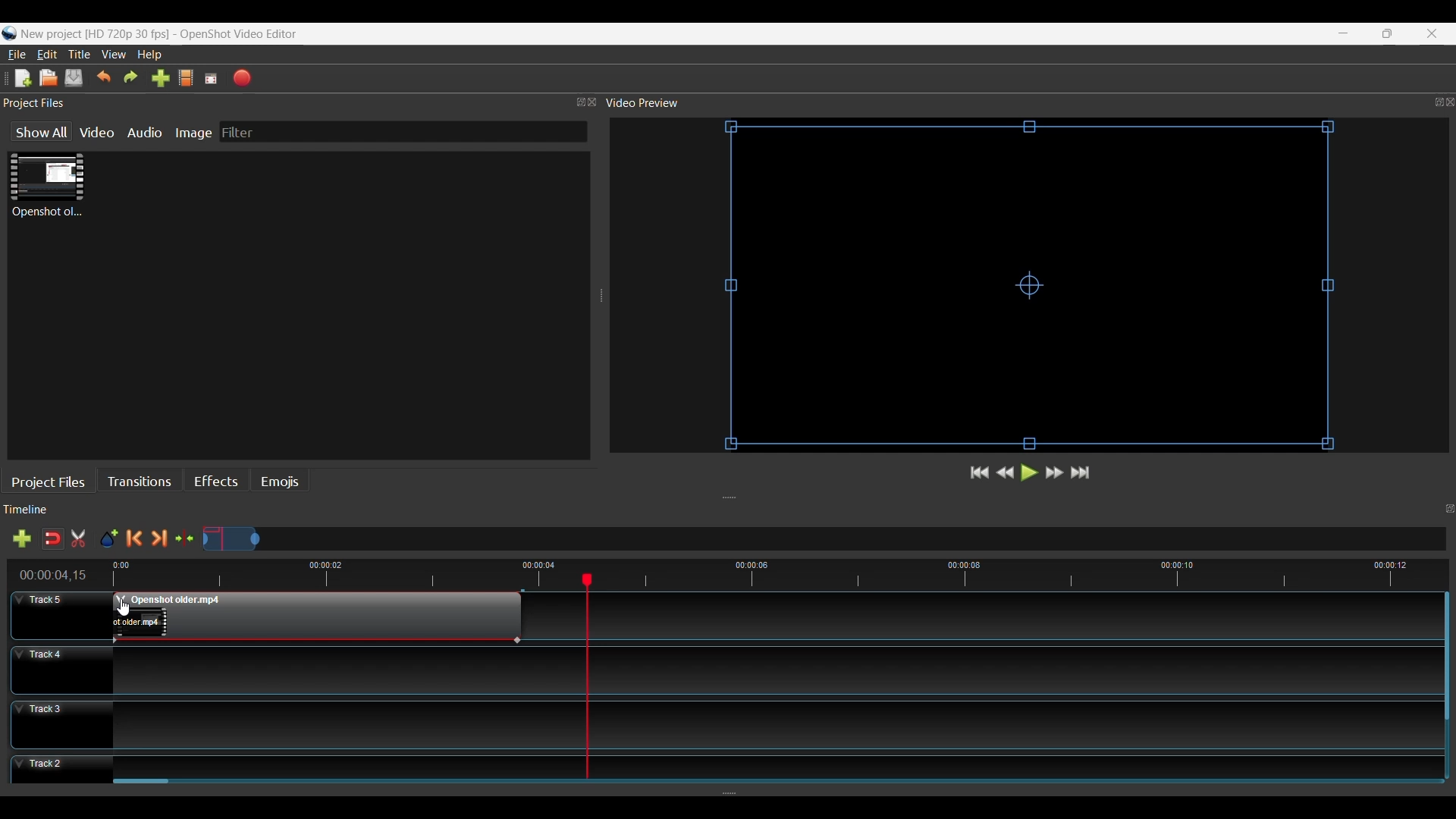 The width and height of the screenshot is (1456, 819). Describe the element at coordinates (127, 607) in the screenshot. I see `Cursor` at that location.